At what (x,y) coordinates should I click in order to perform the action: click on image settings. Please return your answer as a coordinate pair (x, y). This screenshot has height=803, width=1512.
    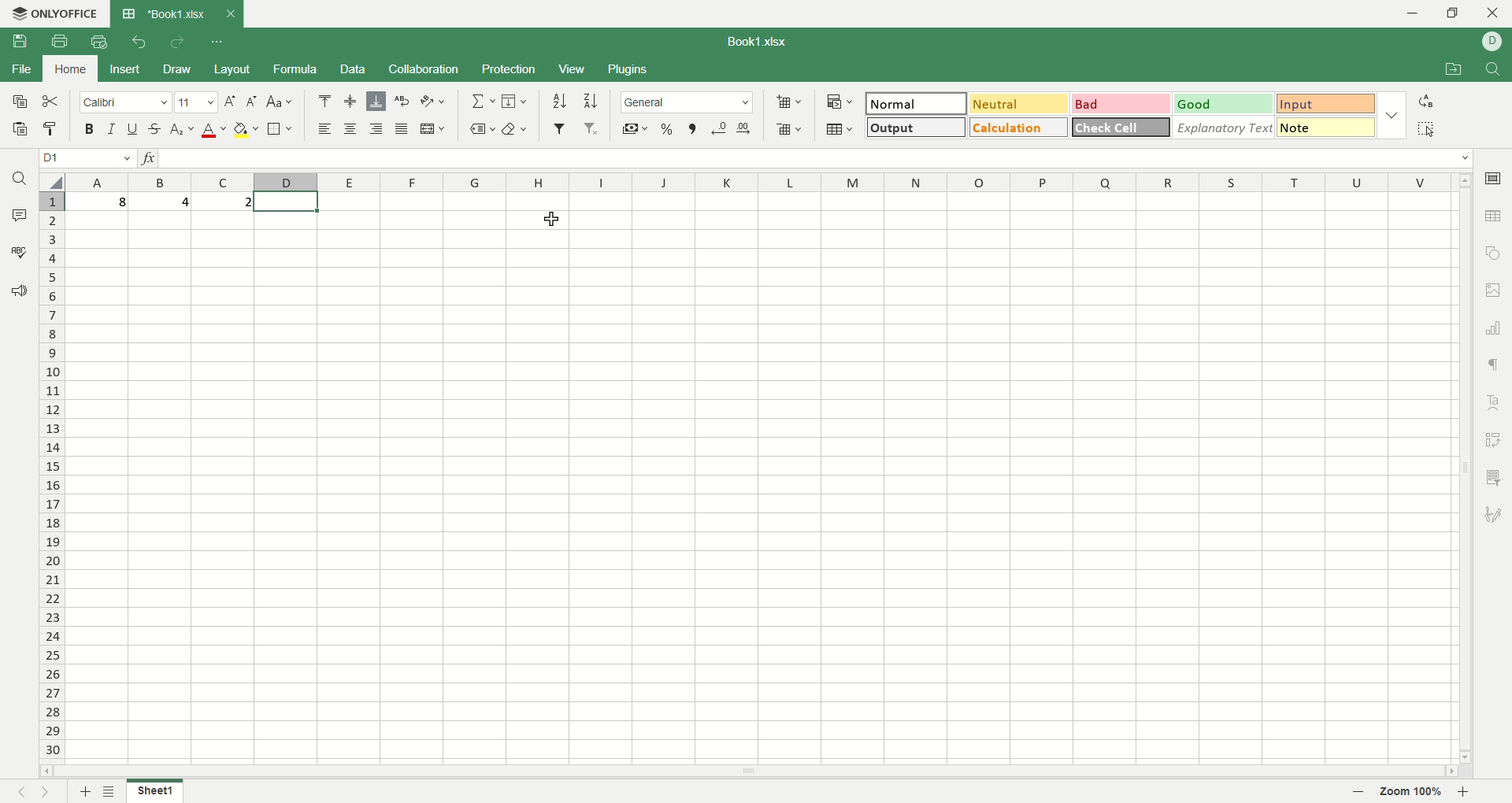
    Looking at the image, I should click on (1495, 288).